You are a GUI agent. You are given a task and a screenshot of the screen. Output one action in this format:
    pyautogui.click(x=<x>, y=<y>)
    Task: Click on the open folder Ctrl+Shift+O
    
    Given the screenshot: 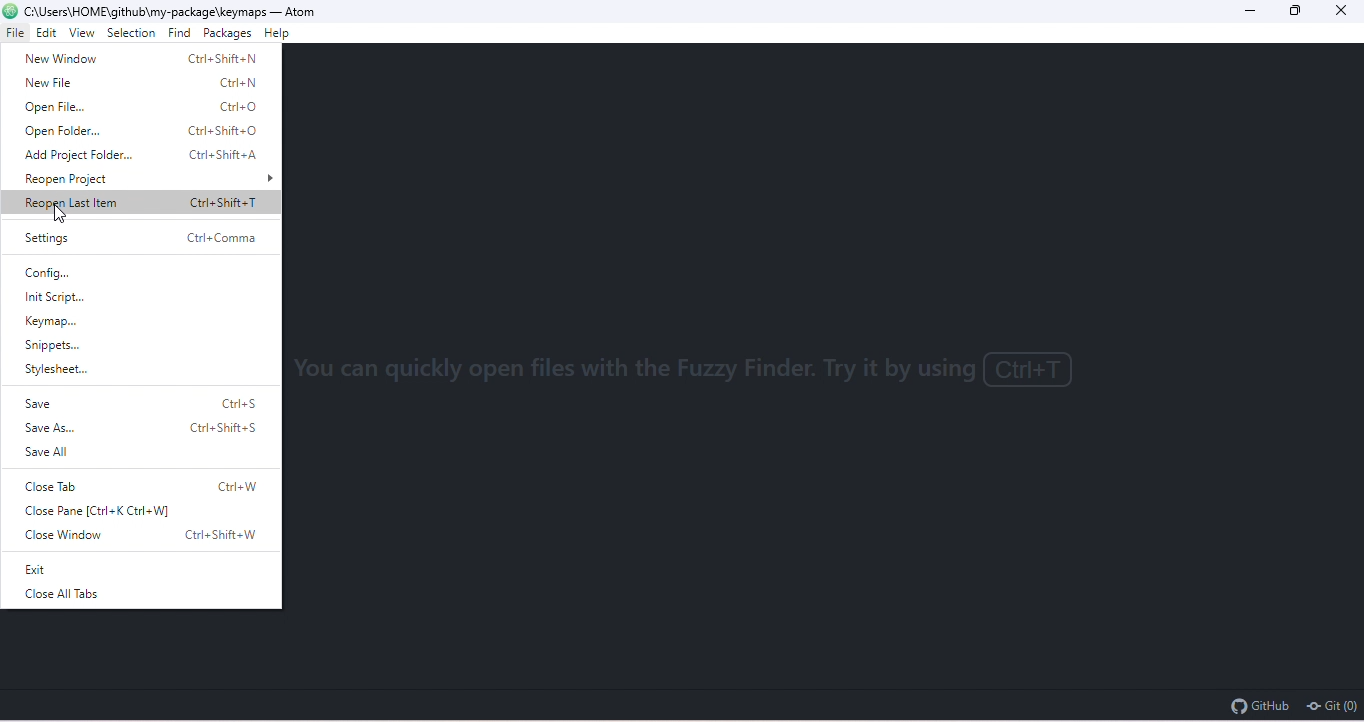 What is the action you would take?
    pyautogui.click(x=141, y=134)
    